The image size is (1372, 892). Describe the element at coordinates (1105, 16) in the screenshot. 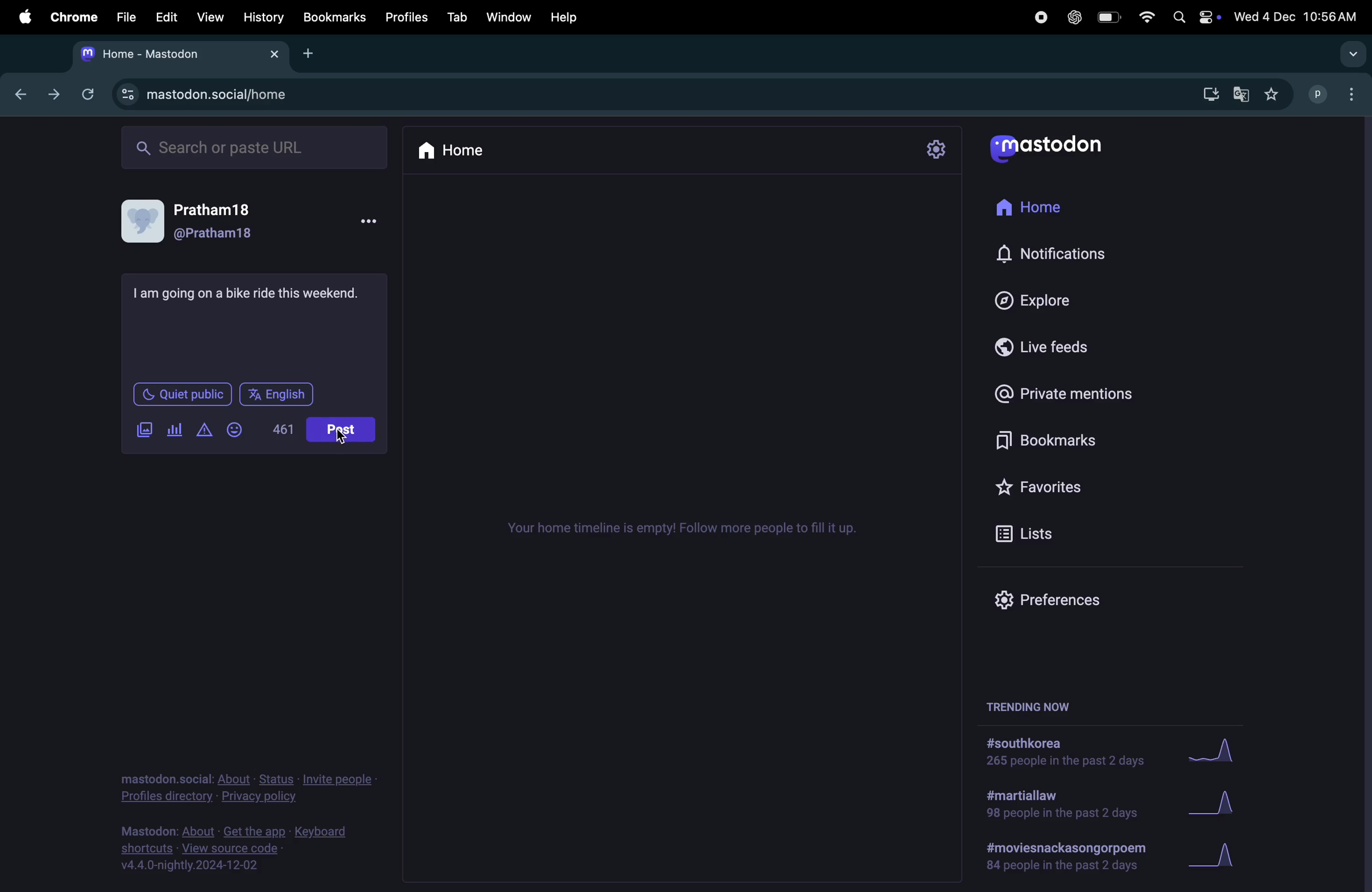

I see `battery` at that location.